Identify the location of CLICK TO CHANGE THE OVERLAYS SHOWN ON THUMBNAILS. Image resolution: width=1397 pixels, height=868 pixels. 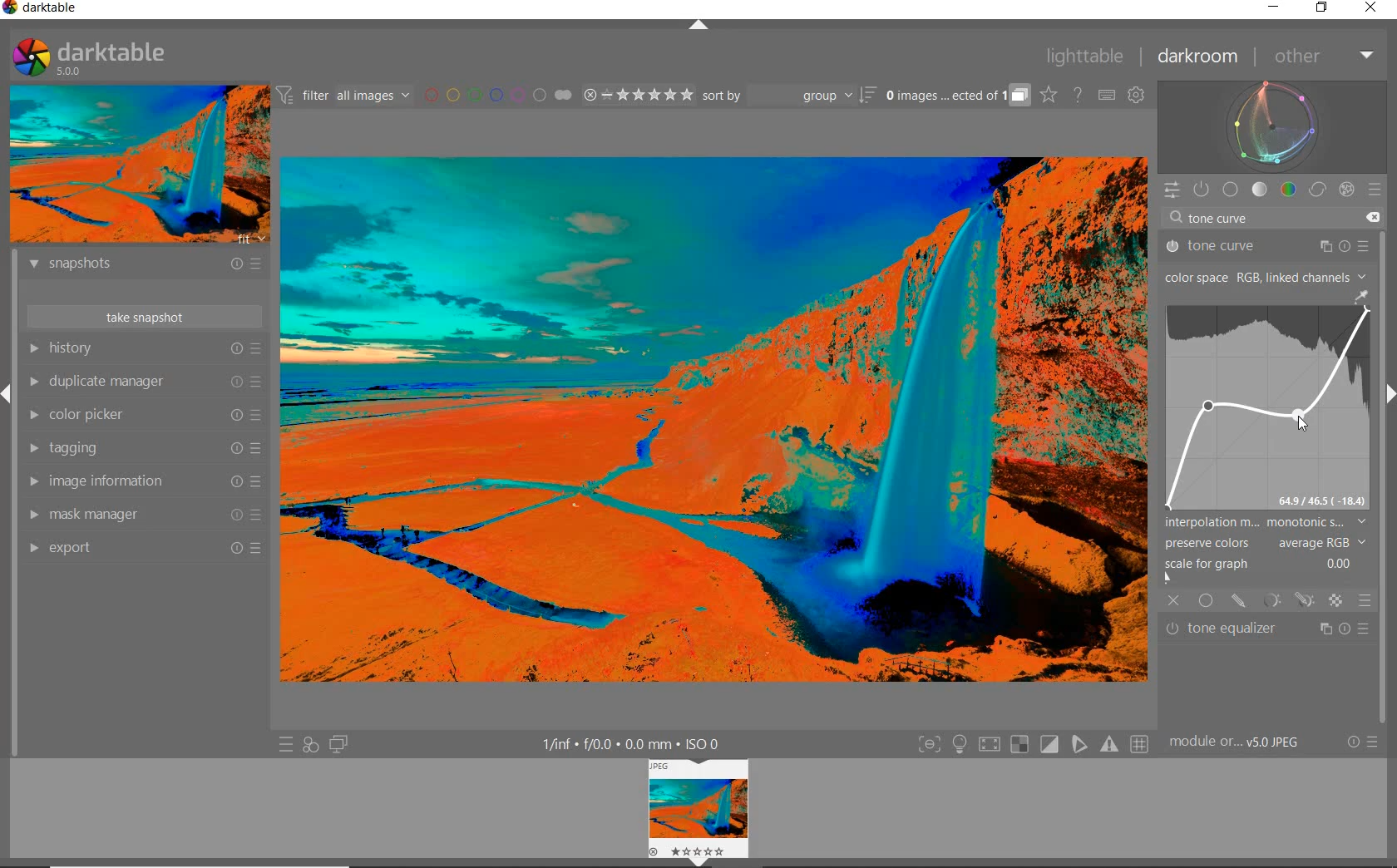
(1049, 95).